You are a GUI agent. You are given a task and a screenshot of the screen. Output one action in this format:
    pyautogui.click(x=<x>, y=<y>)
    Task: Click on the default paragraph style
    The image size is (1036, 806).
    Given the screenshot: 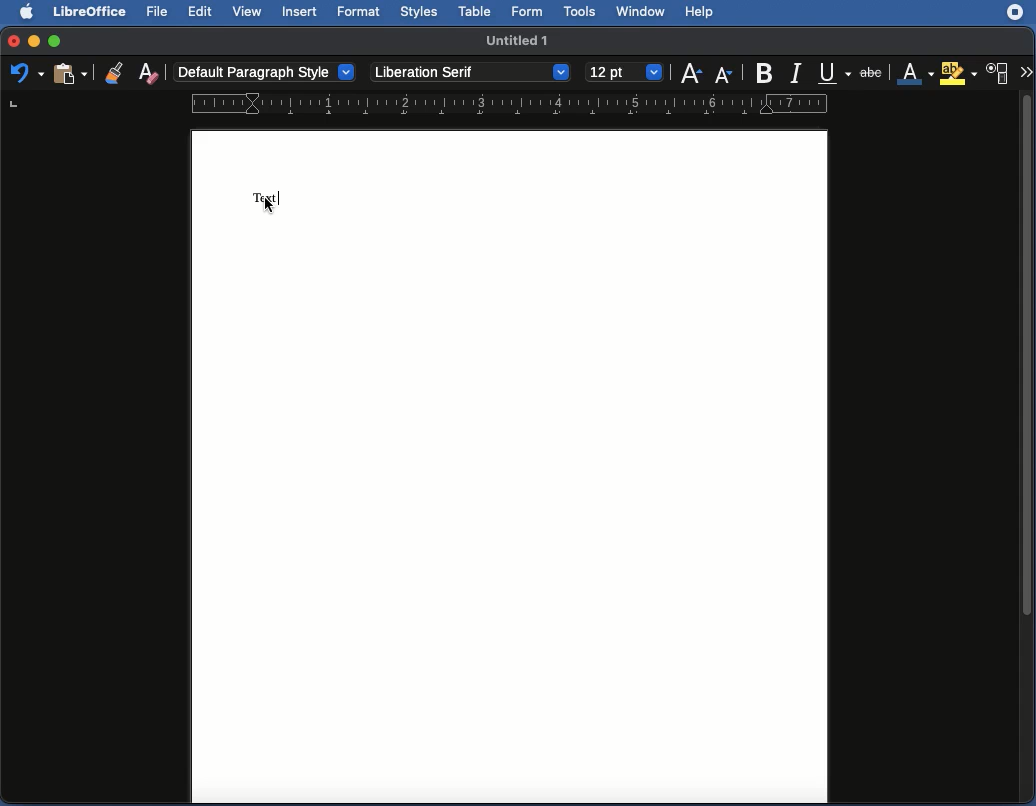 What is the action you would take?
    pyautogui.click(x=267, y=72)
    